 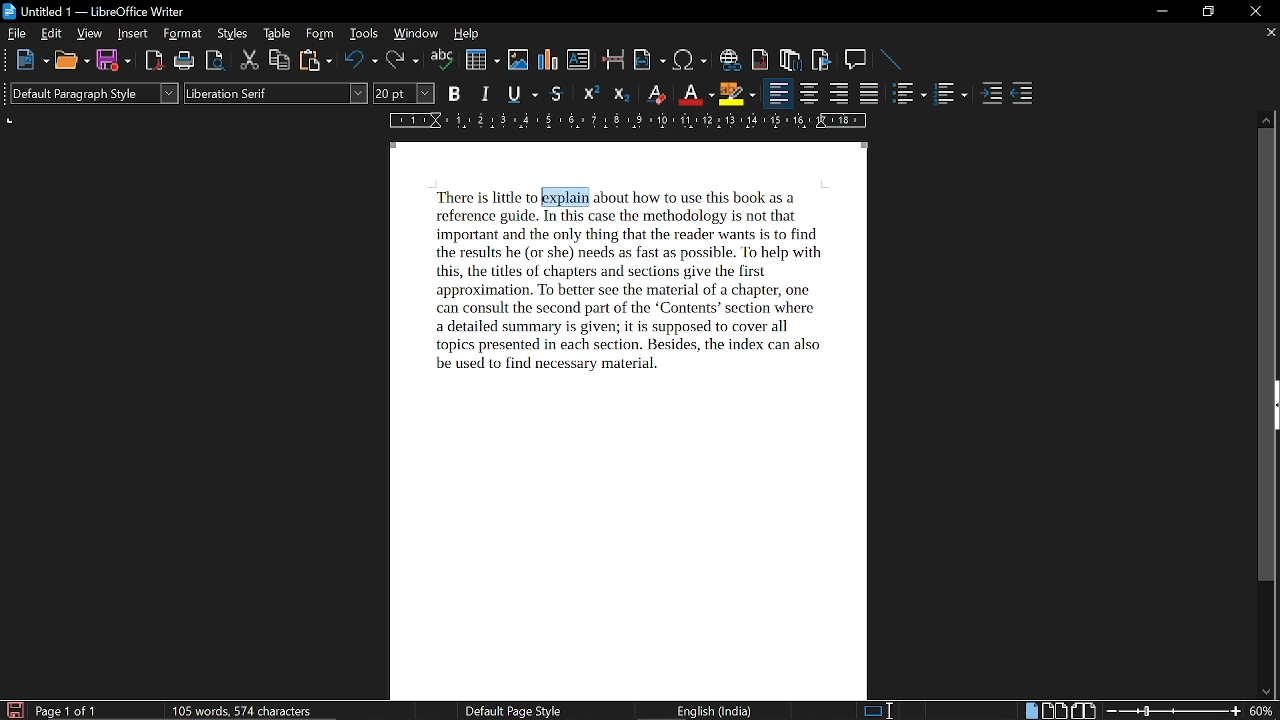 I want to click on superscript, so click(x=590, y=95).